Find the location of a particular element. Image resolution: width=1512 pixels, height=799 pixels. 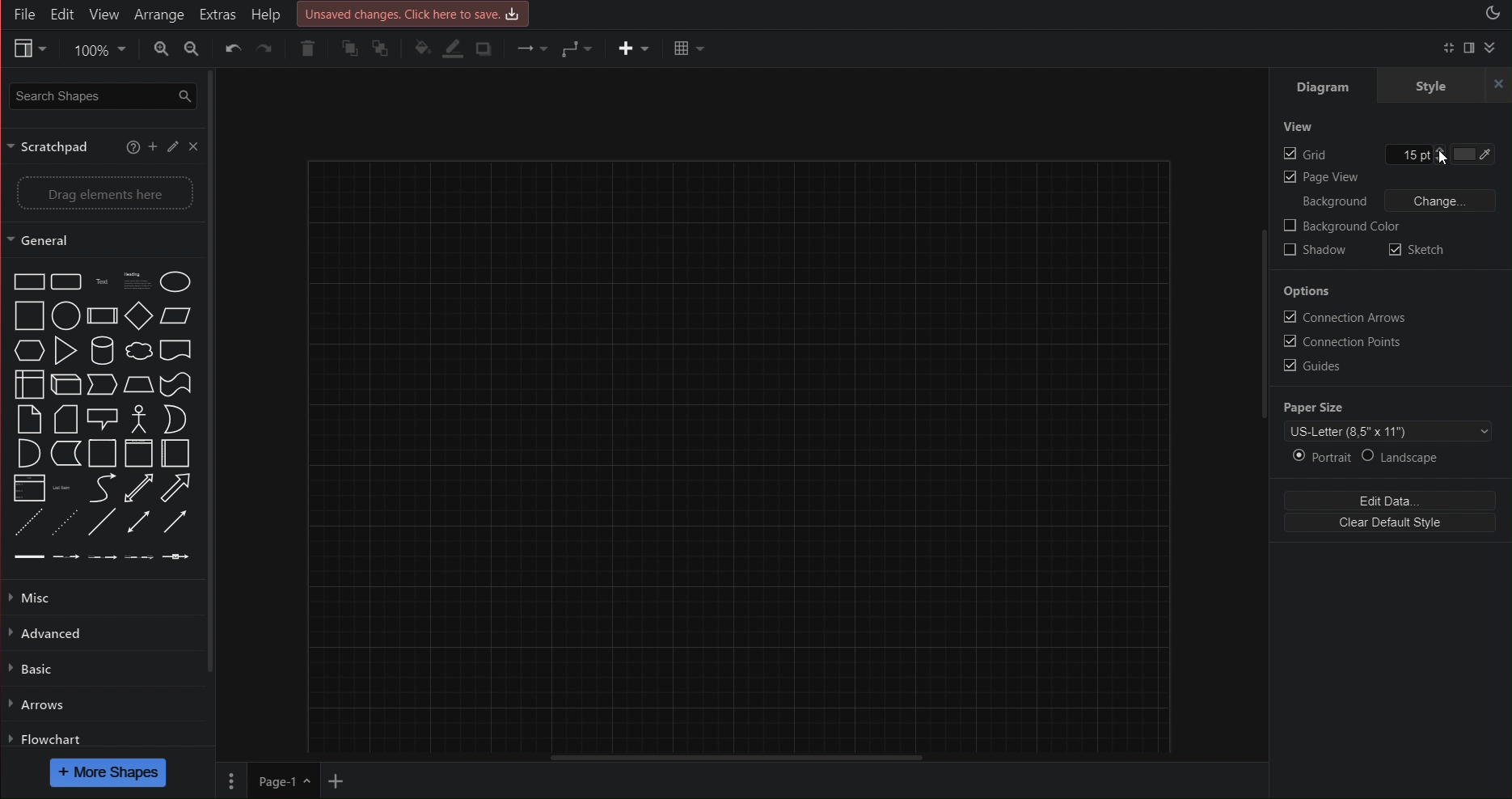

Scrollbar is located at coordinates (758, 758).